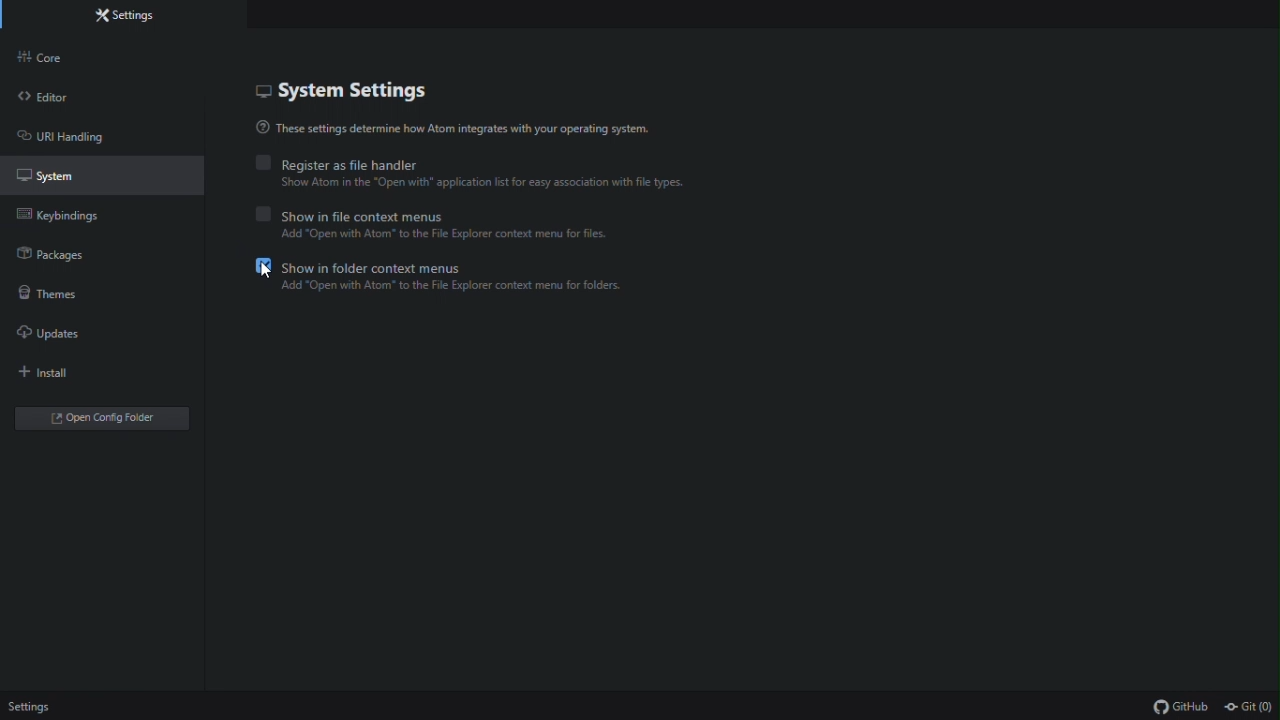 Image resolution: width=1280 pixels, height=720 pixels. I want to click on URL handling, so click(100, 137).